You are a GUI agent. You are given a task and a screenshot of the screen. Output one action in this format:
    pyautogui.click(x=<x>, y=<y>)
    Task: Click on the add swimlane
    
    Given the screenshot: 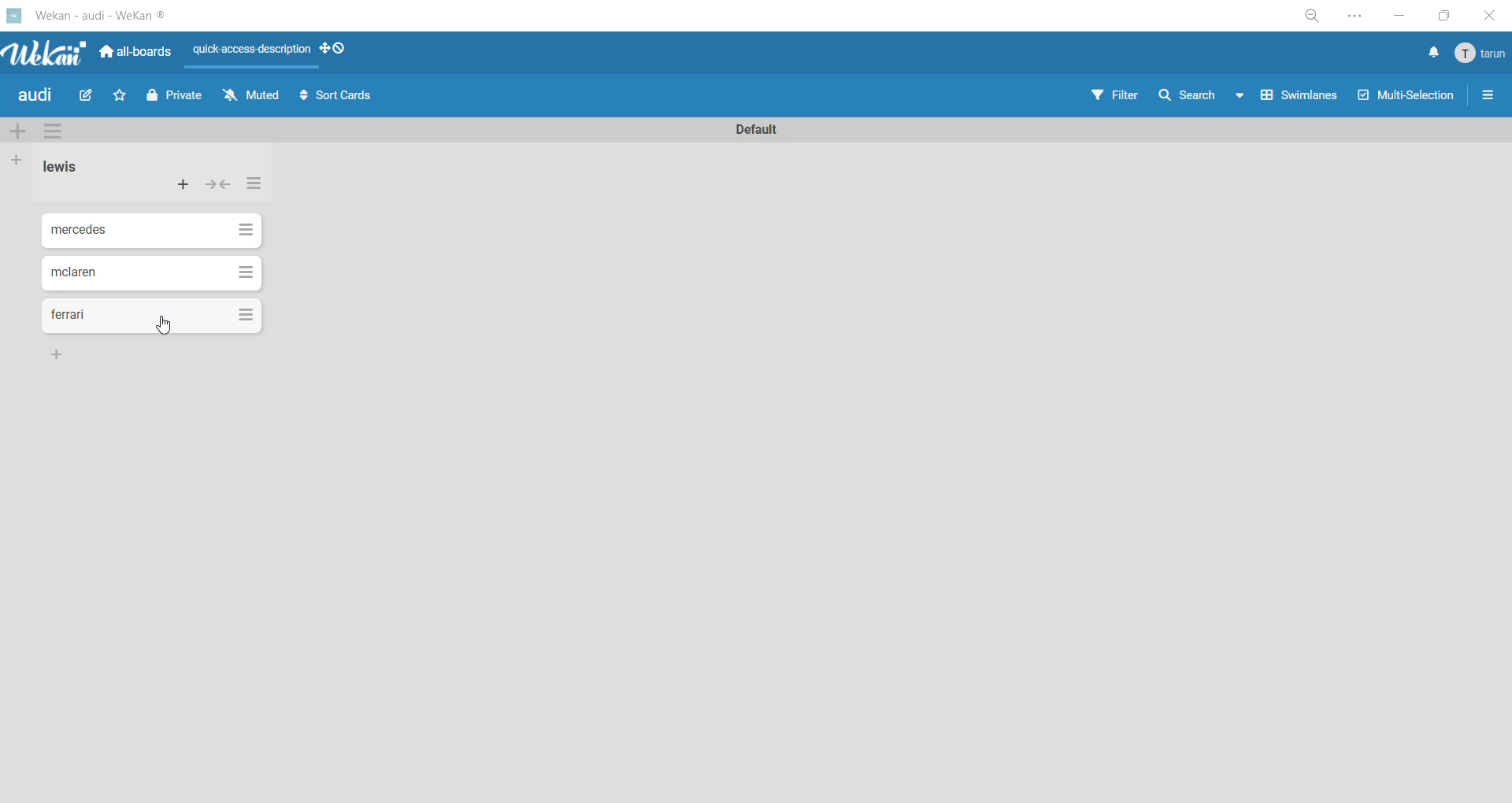 What is the action you would take?
    pyautogui.click(x=17, y=128)
    